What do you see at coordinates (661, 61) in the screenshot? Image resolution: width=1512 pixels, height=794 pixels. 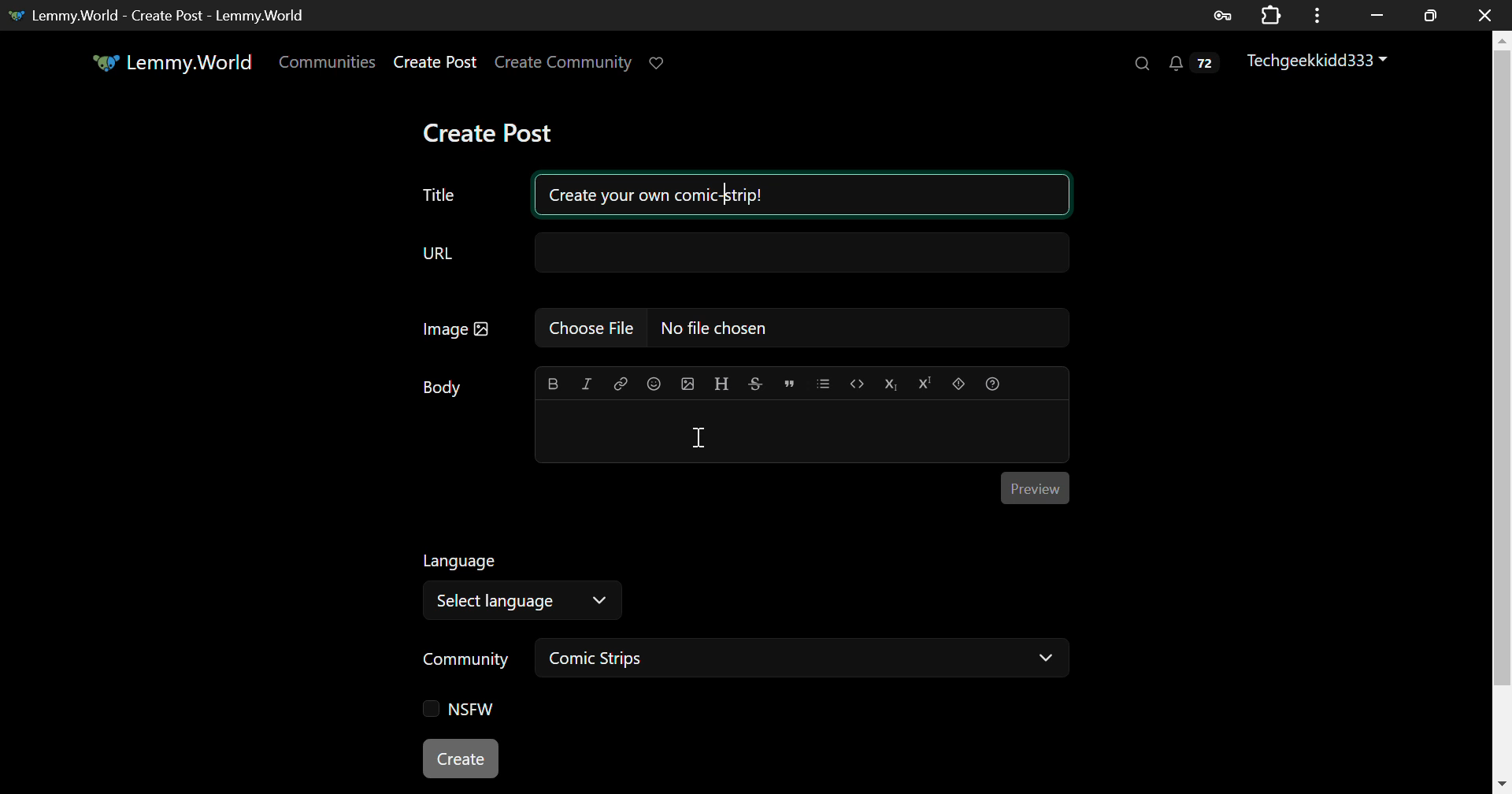 I see `Donate` at bounding box center [661, 61].